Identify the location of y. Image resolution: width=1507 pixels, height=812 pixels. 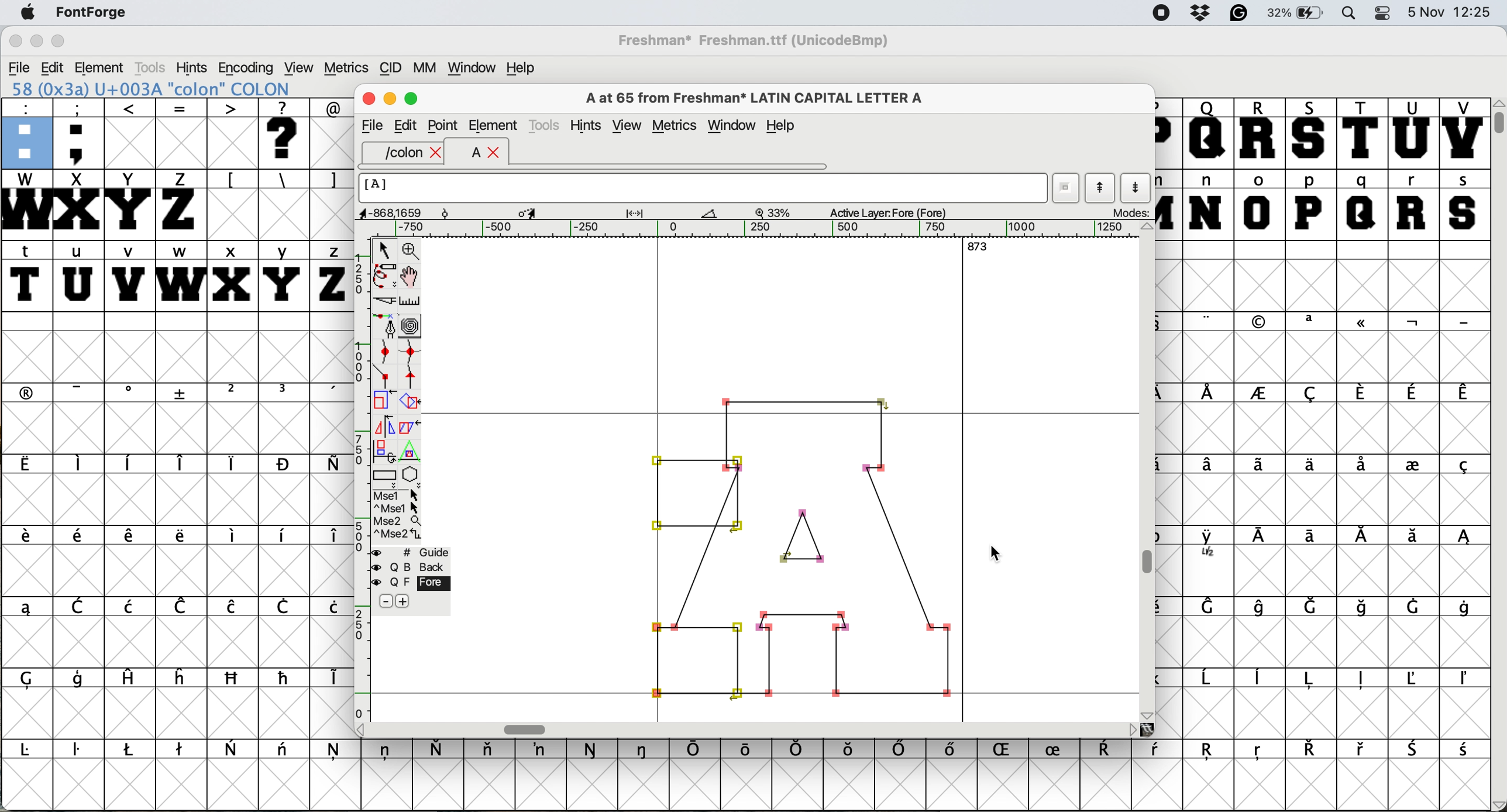
(285, 274).